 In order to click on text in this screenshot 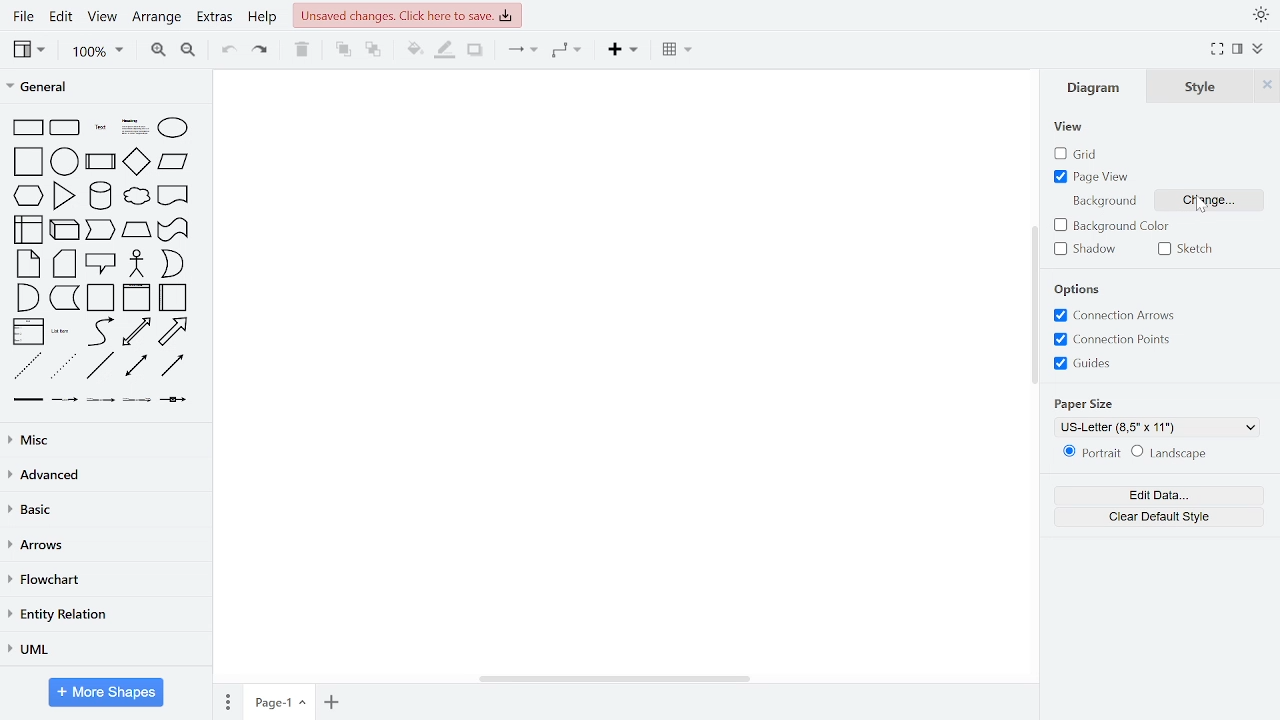, I will do `click(1103, 201)`.